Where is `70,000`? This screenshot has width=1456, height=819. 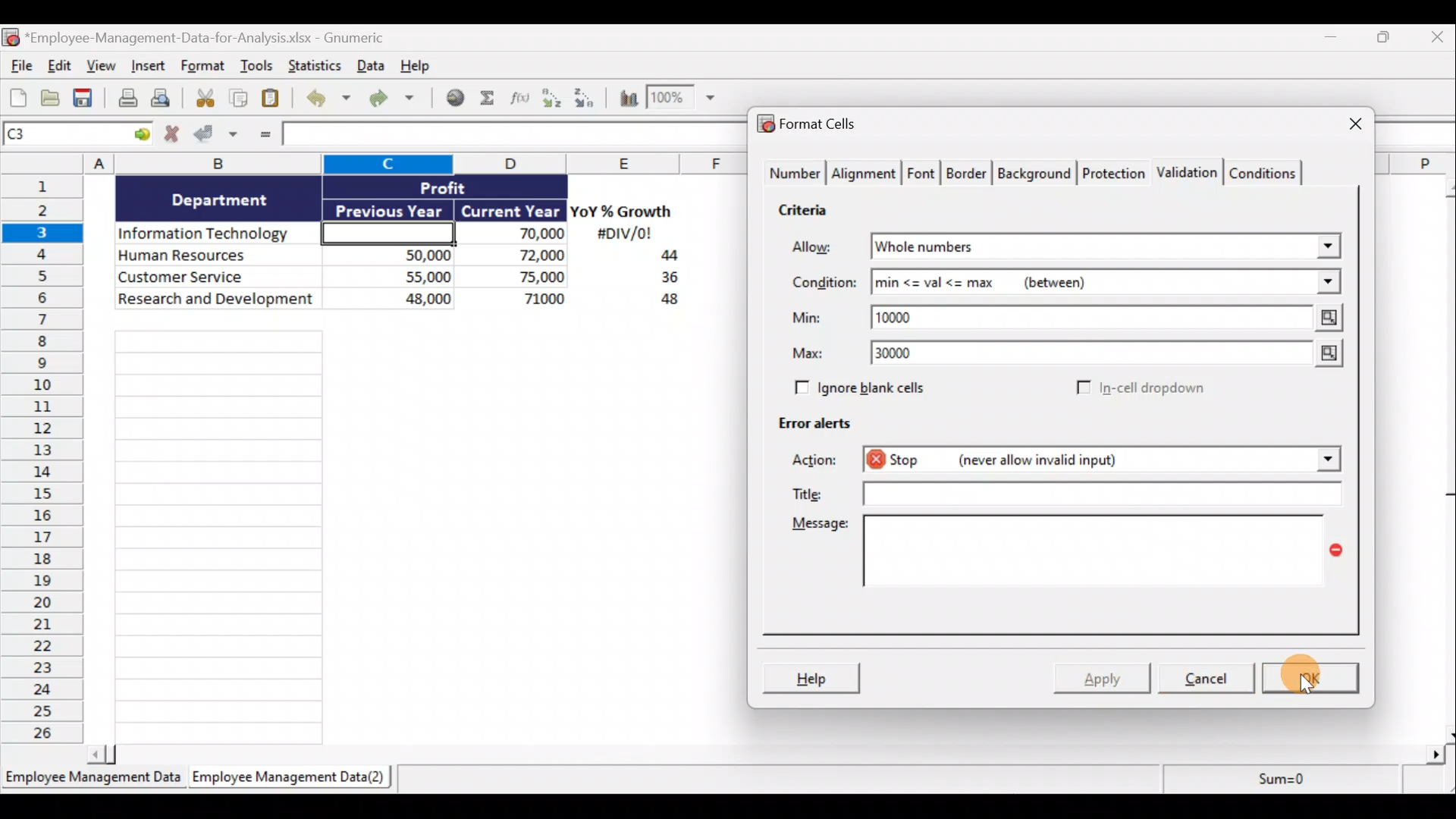 70,000 is located at coordinates (519, 234).